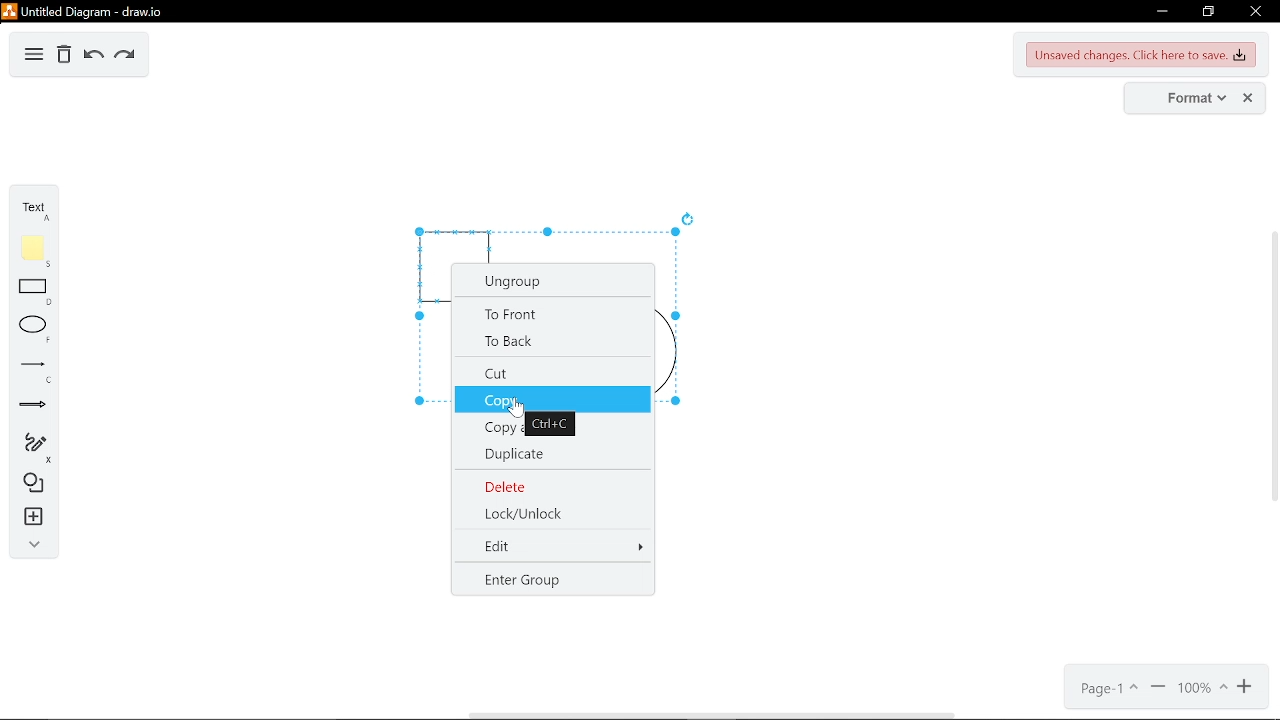  I want to click on enter group, so click(561, 579).